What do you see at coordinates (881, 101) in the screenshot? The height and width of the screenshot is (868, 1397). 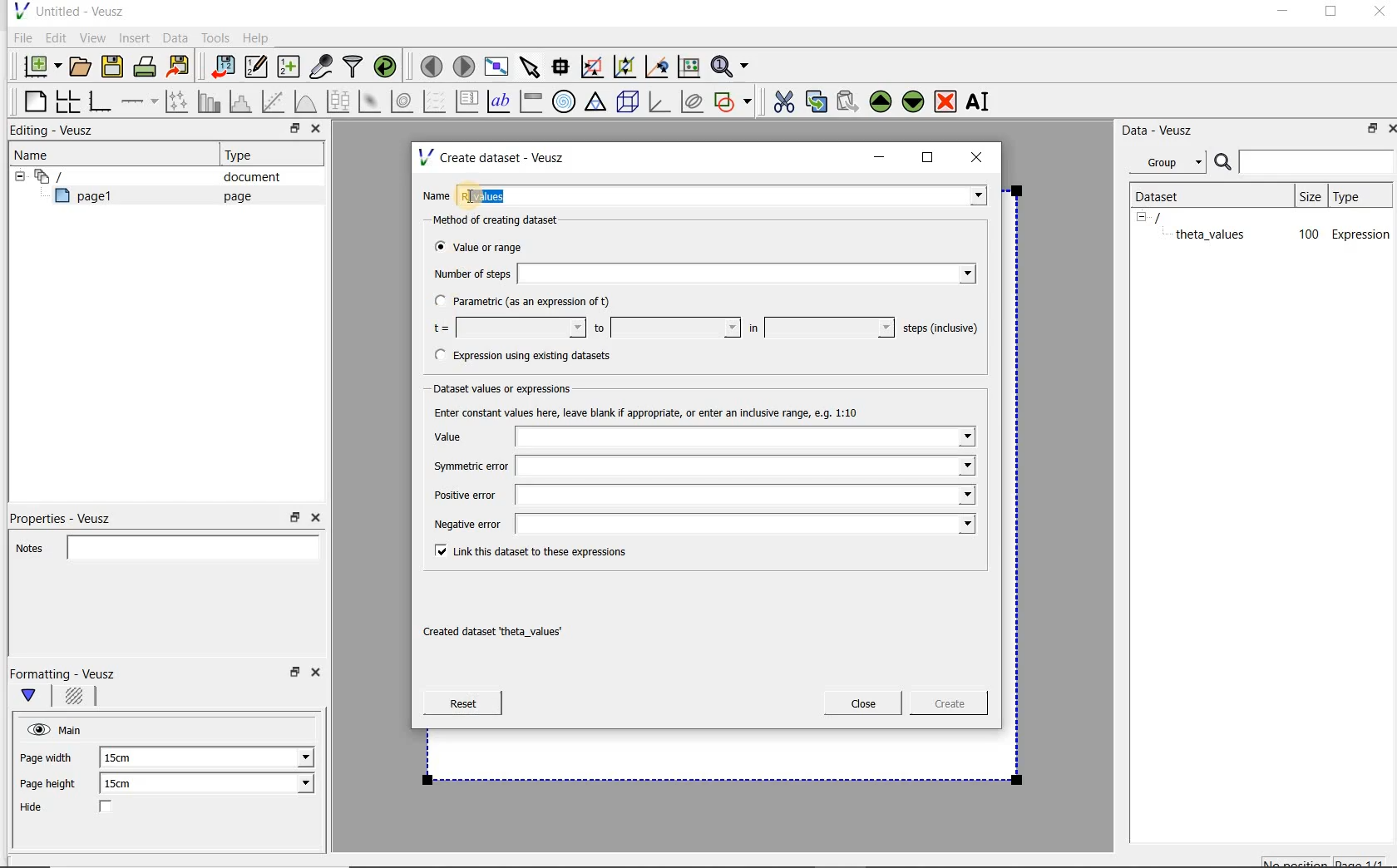 I see `Move the selected widget up` at bounding box center [881, 101].